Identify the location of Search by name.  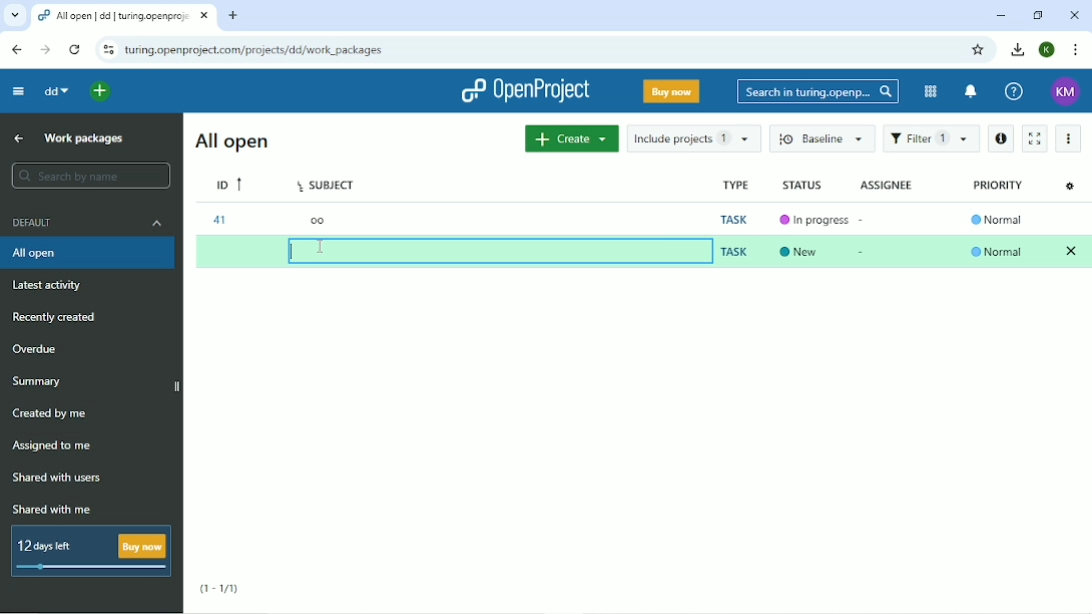
(90, 175).